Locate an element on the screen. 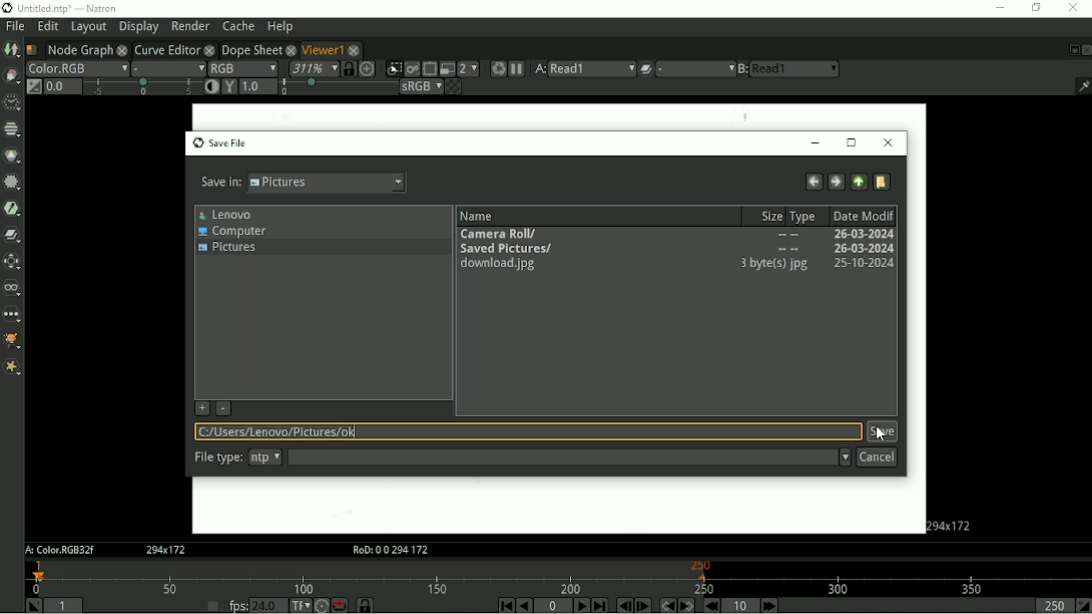 This screenshot has height=614, width=1092. Size is located at coordinates (766, 217).